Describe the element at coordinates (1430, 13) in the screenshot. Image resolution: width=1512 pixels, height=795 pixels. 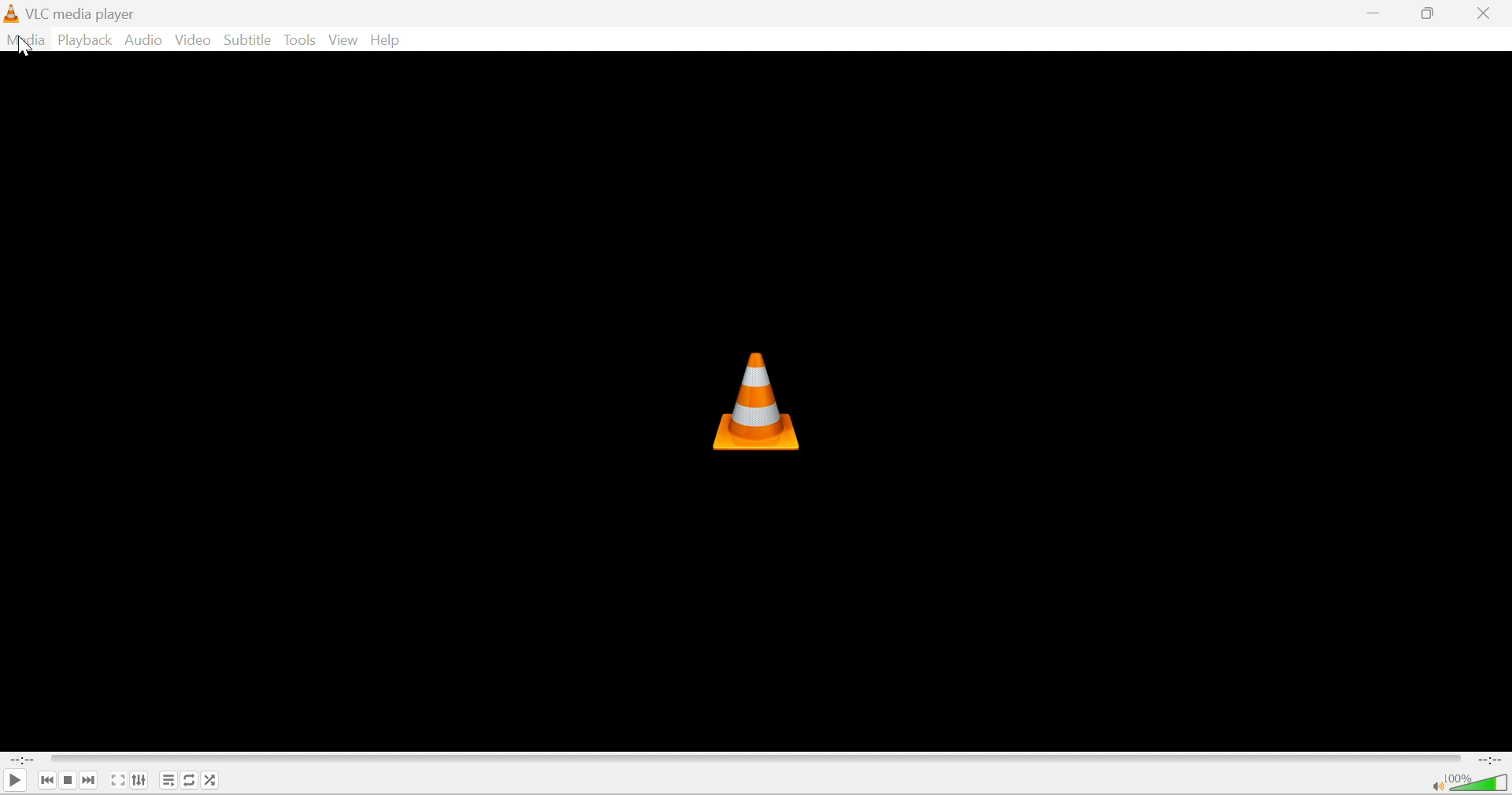
I see `Restore Down` at that location.